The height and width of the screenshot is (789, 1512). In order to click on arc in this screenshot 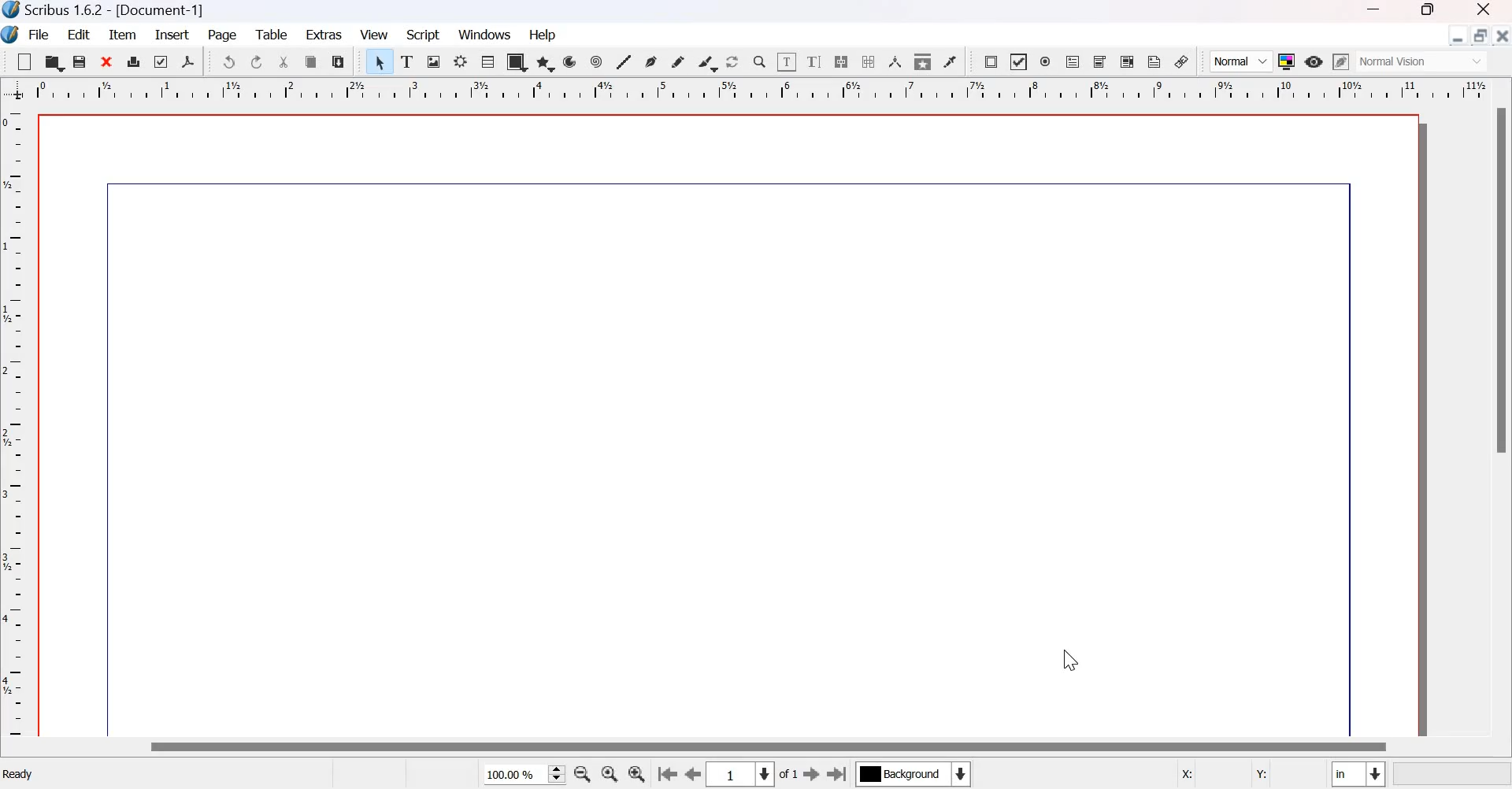, I will do `click(570, 62)`.